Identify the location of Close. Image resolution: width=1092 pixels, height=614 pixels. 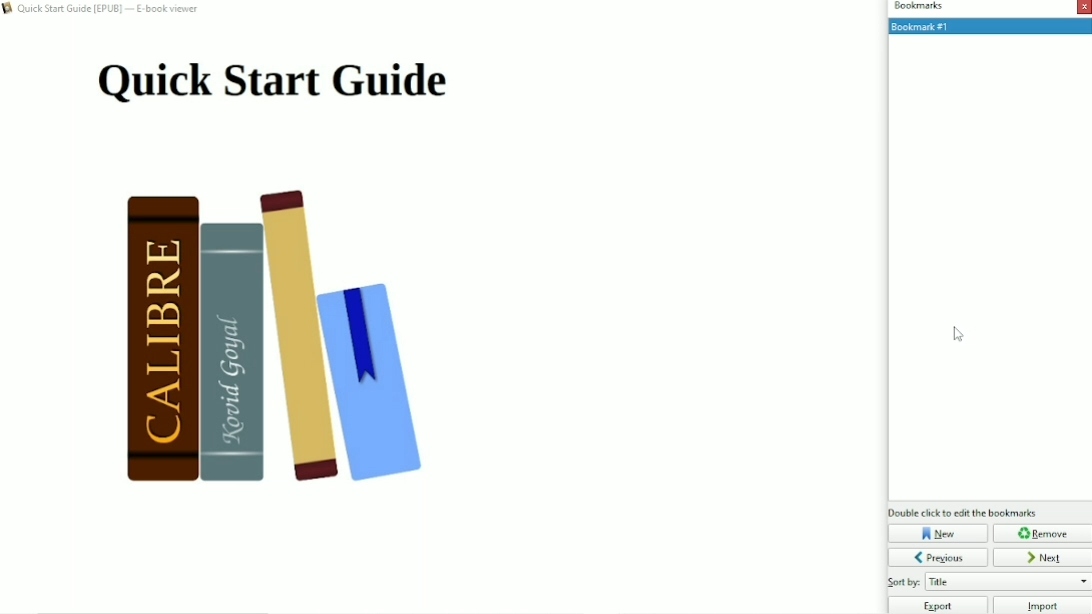
(1084, 7).